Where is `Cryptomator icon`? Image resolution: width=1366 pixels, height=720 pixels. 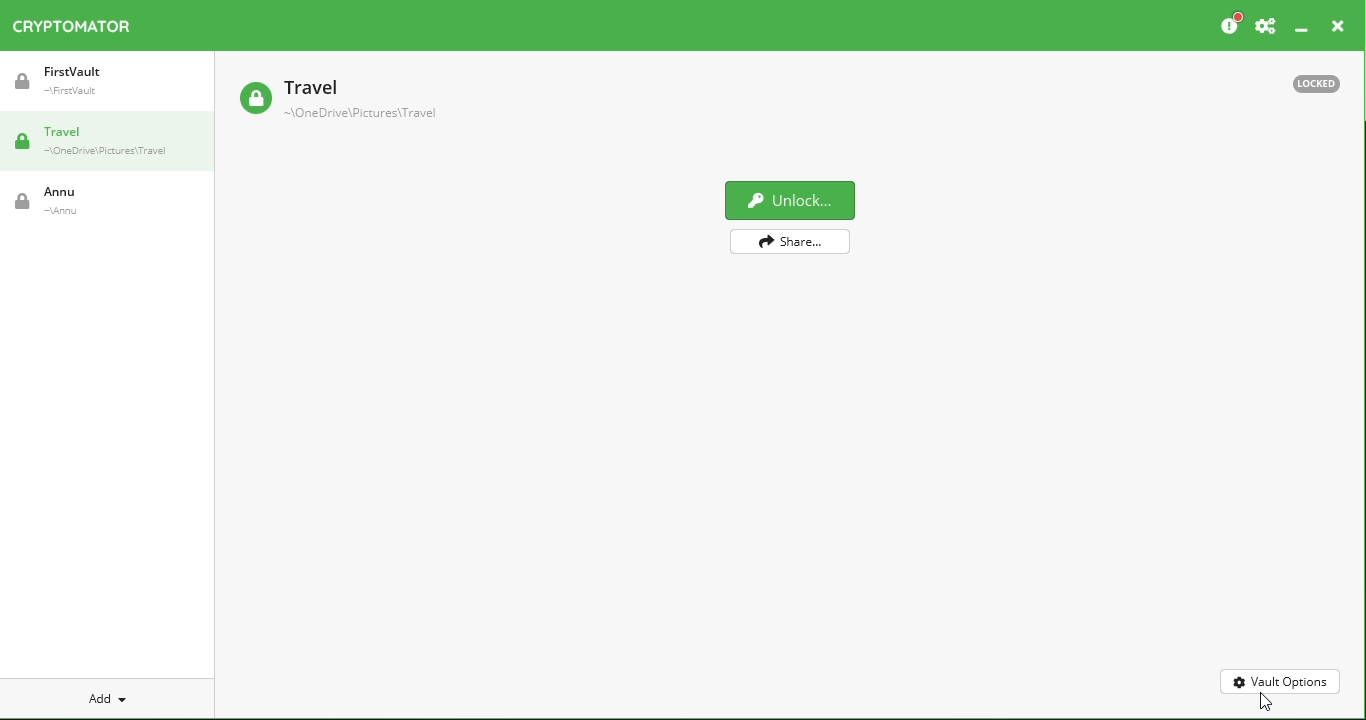
Cryptomator icon is located at coordinates (81, 27).